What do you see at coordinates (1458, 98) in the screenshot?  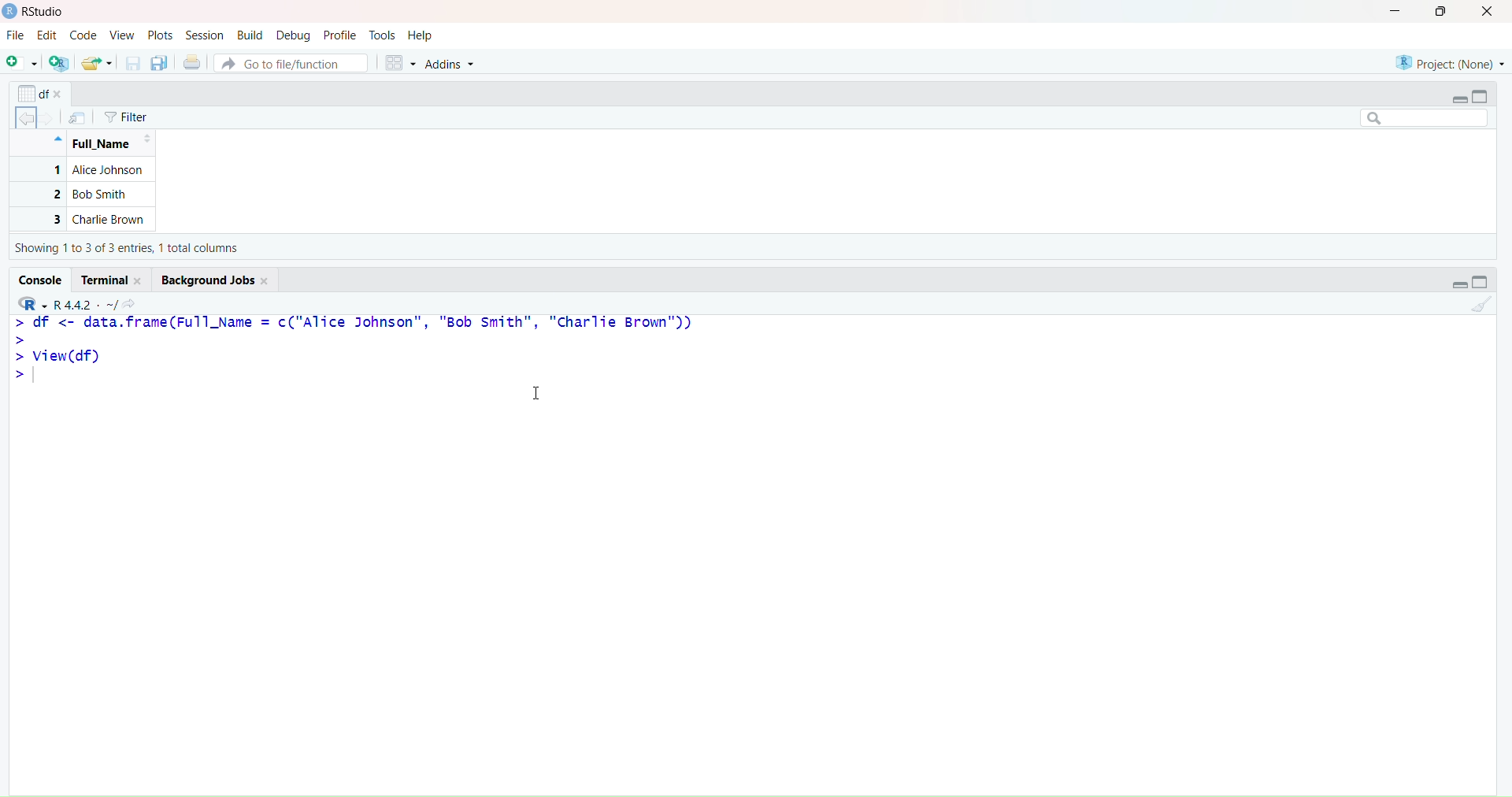 I see `Minimize` at bounding box center [1458, 98].